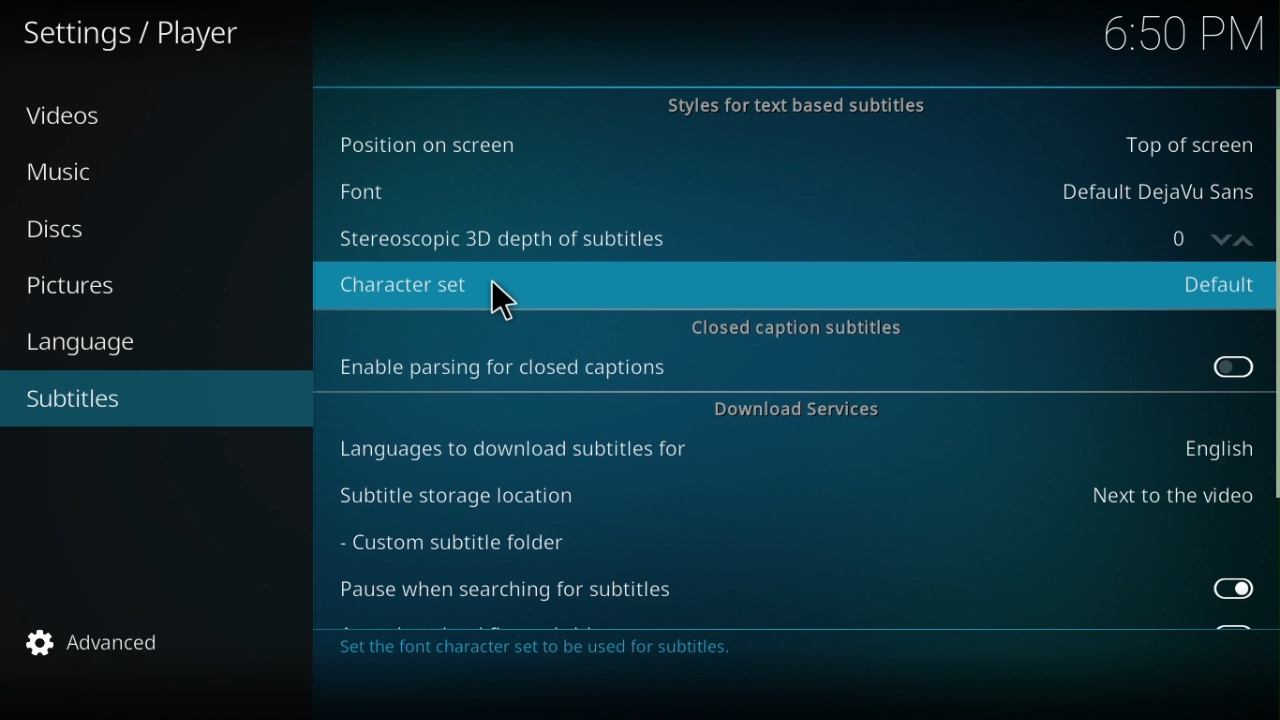 This screenshot has height=720, width=1280. I want to click on Enable parsing for closed captions, so click(793, 372).